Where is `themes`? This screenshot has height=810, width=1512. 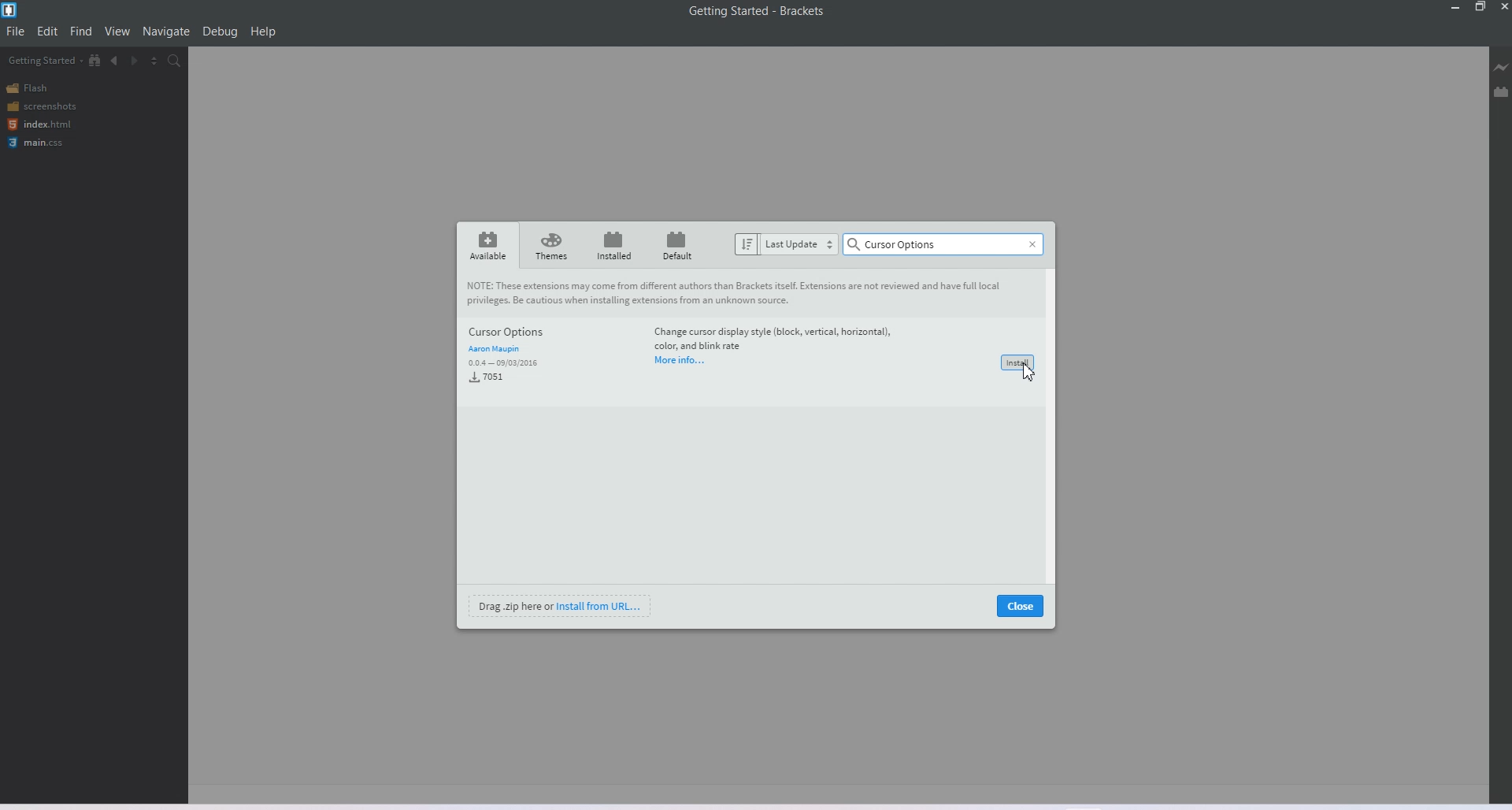
themes is located at coordinates (552, 244).